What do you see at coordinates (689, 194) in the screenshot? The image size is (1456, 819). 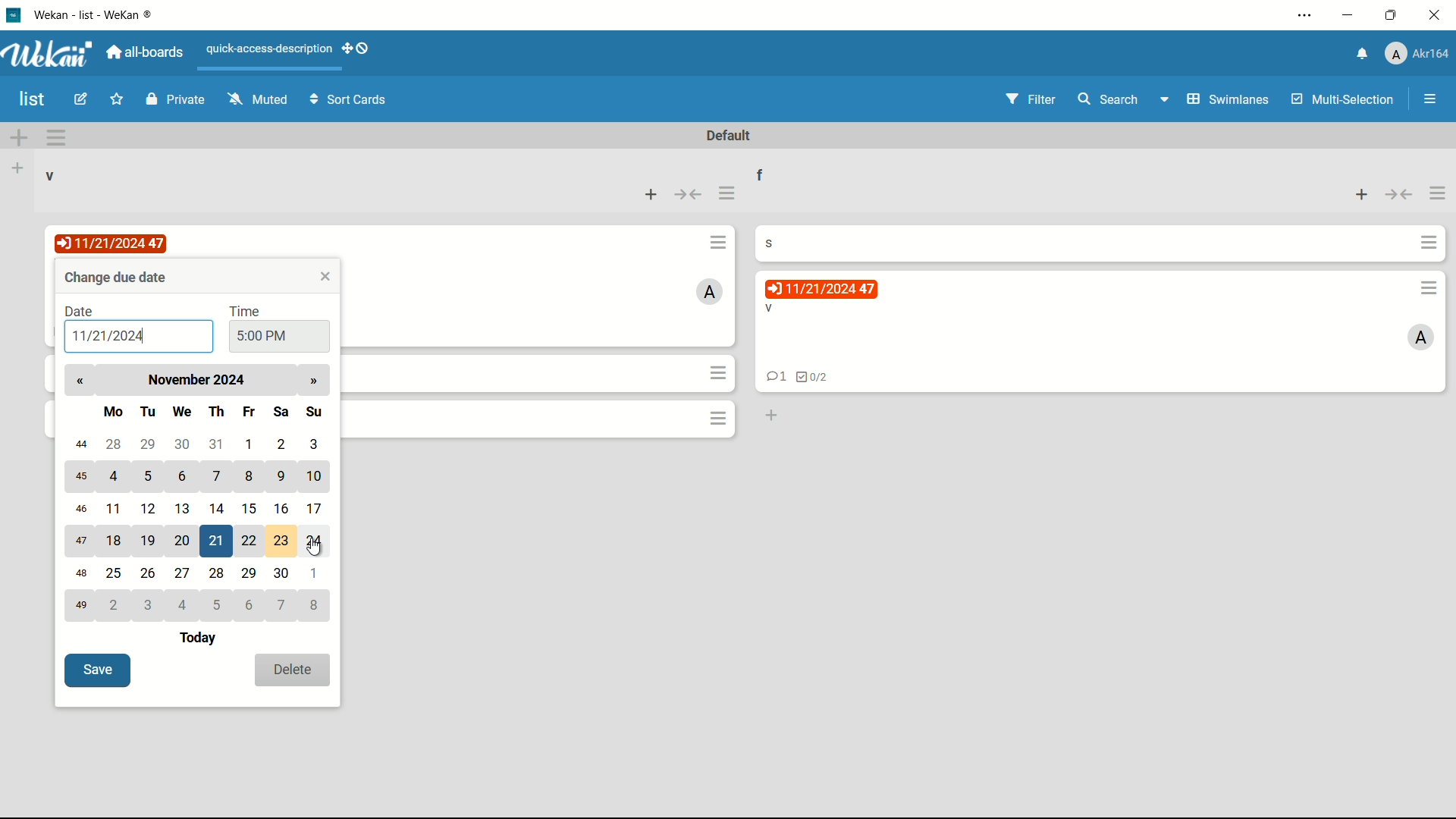 I see `collapse` at bounding box center [689, 194].